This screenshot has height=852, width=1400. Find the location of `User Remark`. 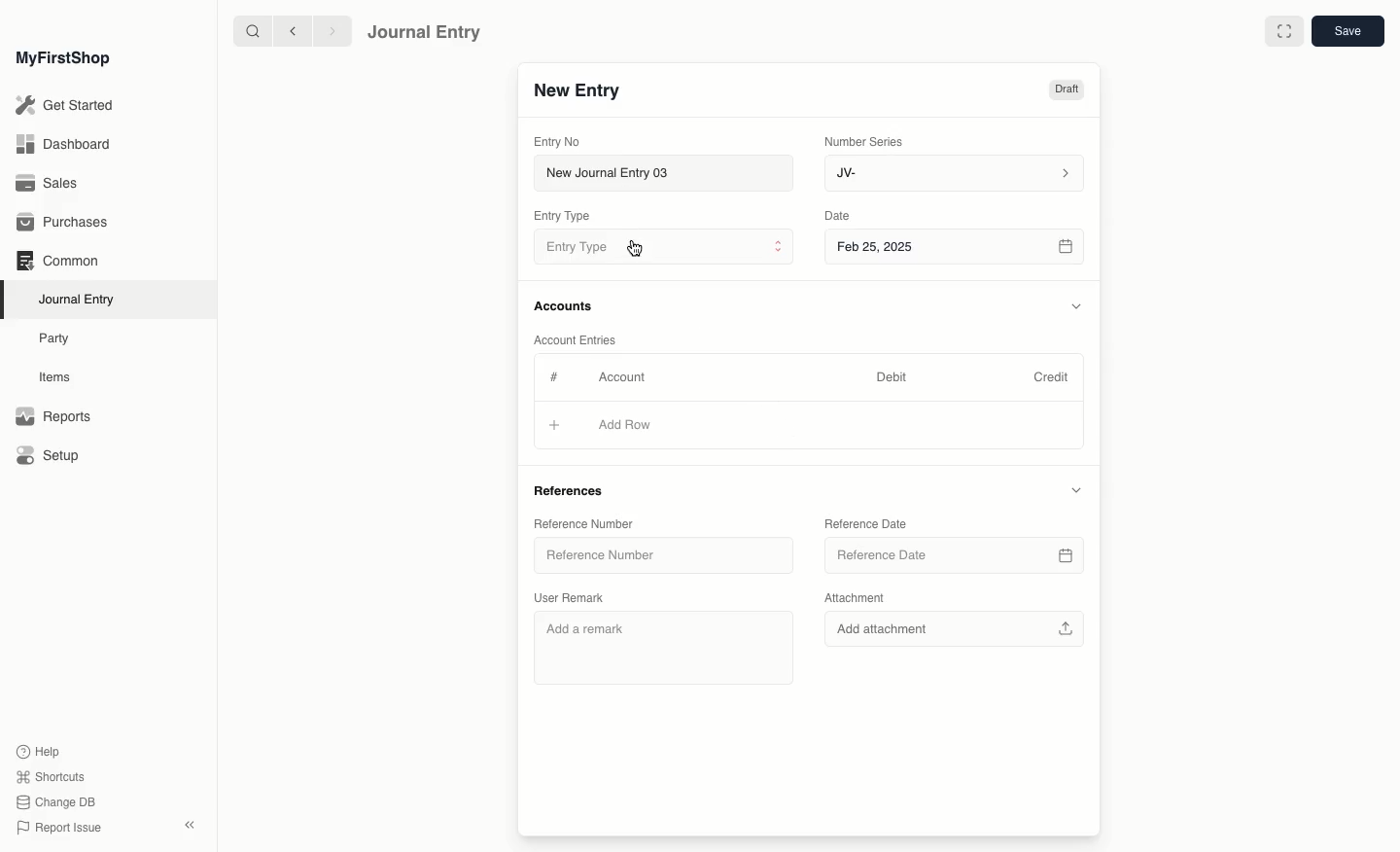

User Remark is located at coordinates (574, 596).